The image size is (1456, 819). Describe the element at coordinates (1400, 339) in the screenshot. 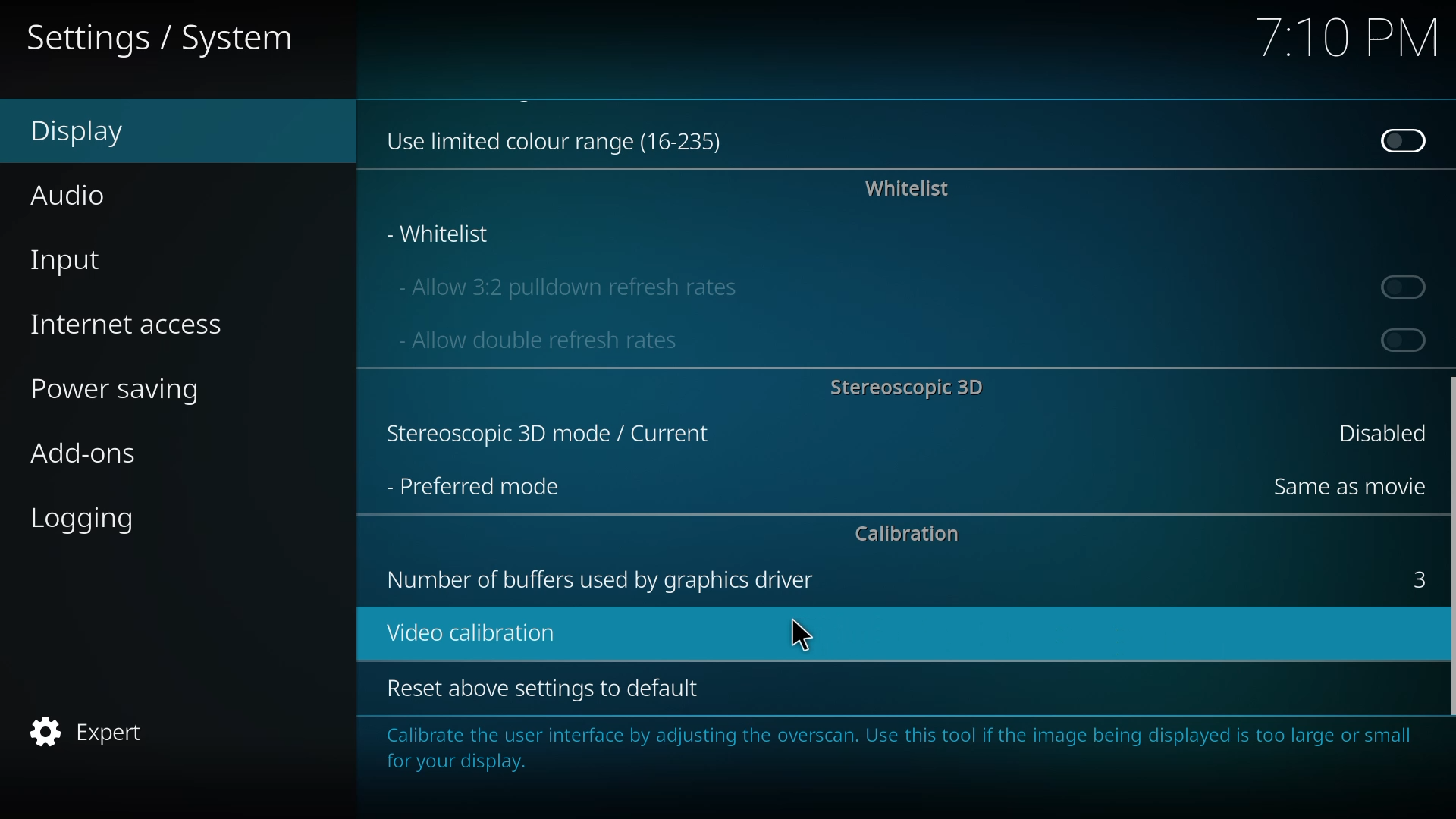

I see `enable` at that location.